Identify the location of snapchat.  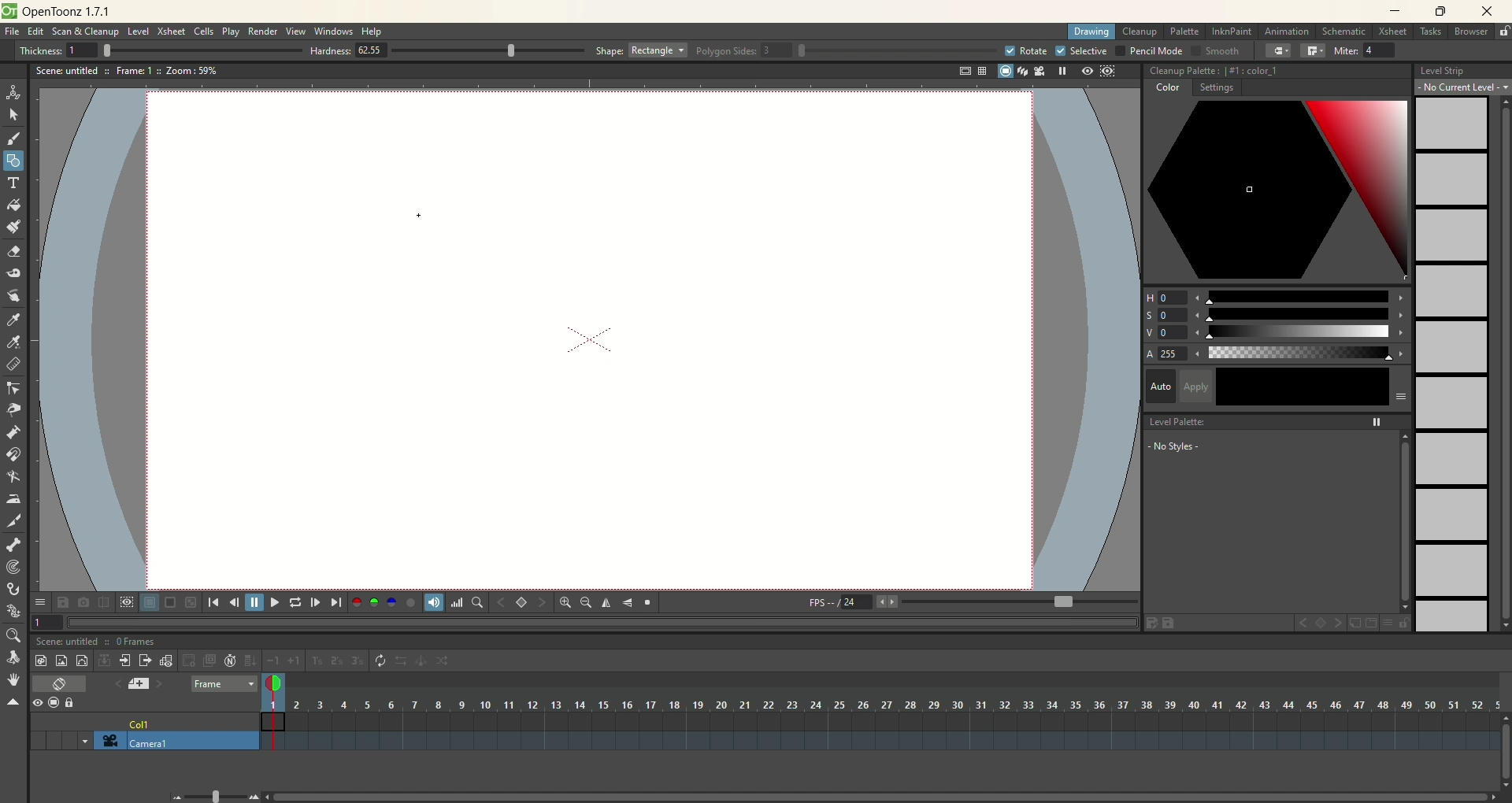
(83, 602).